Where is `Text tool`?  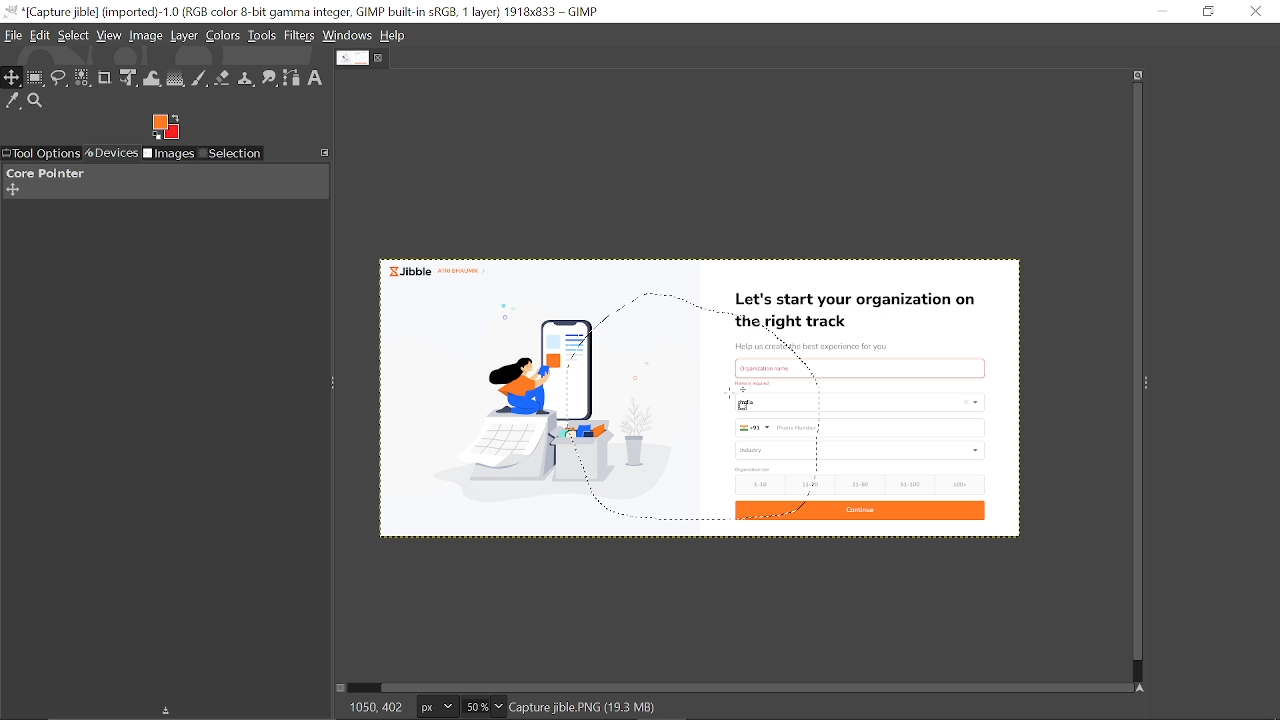
Text tool is located at coordinates (315, 78).